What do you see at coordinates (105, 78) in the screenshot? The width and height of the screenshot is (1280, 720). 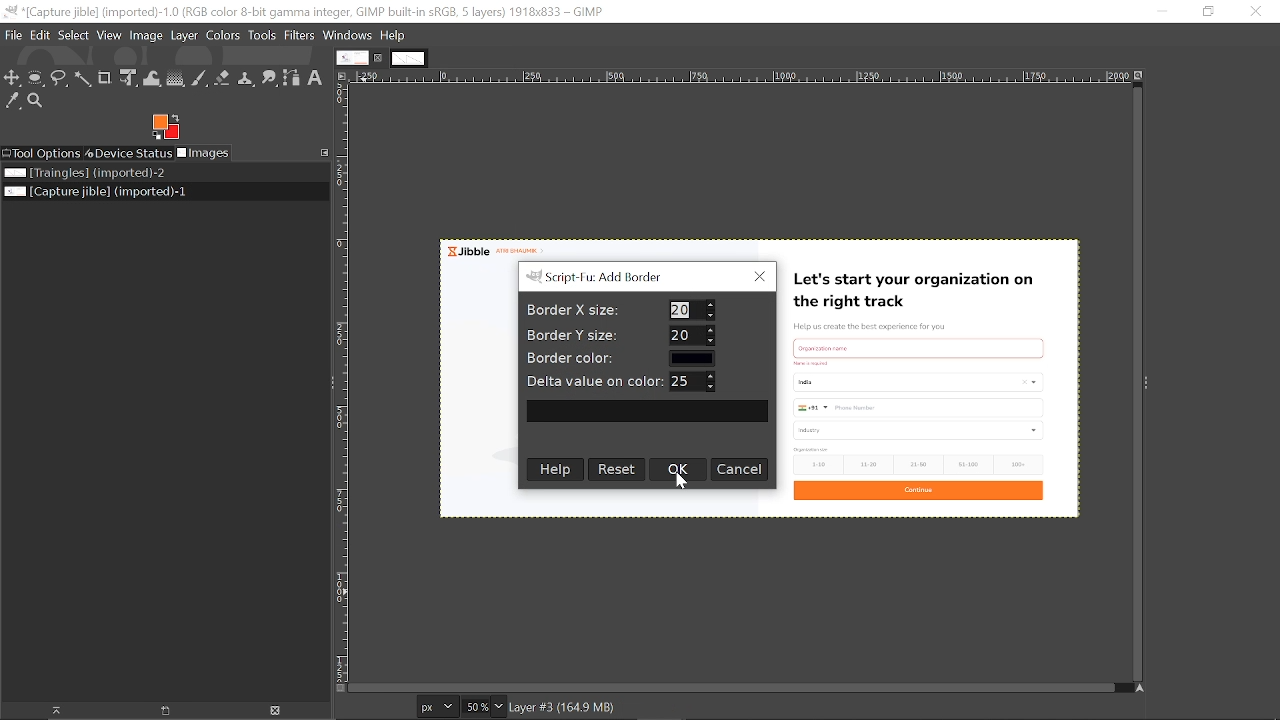 I see `Crop tool` at bounding box center [105, 78].